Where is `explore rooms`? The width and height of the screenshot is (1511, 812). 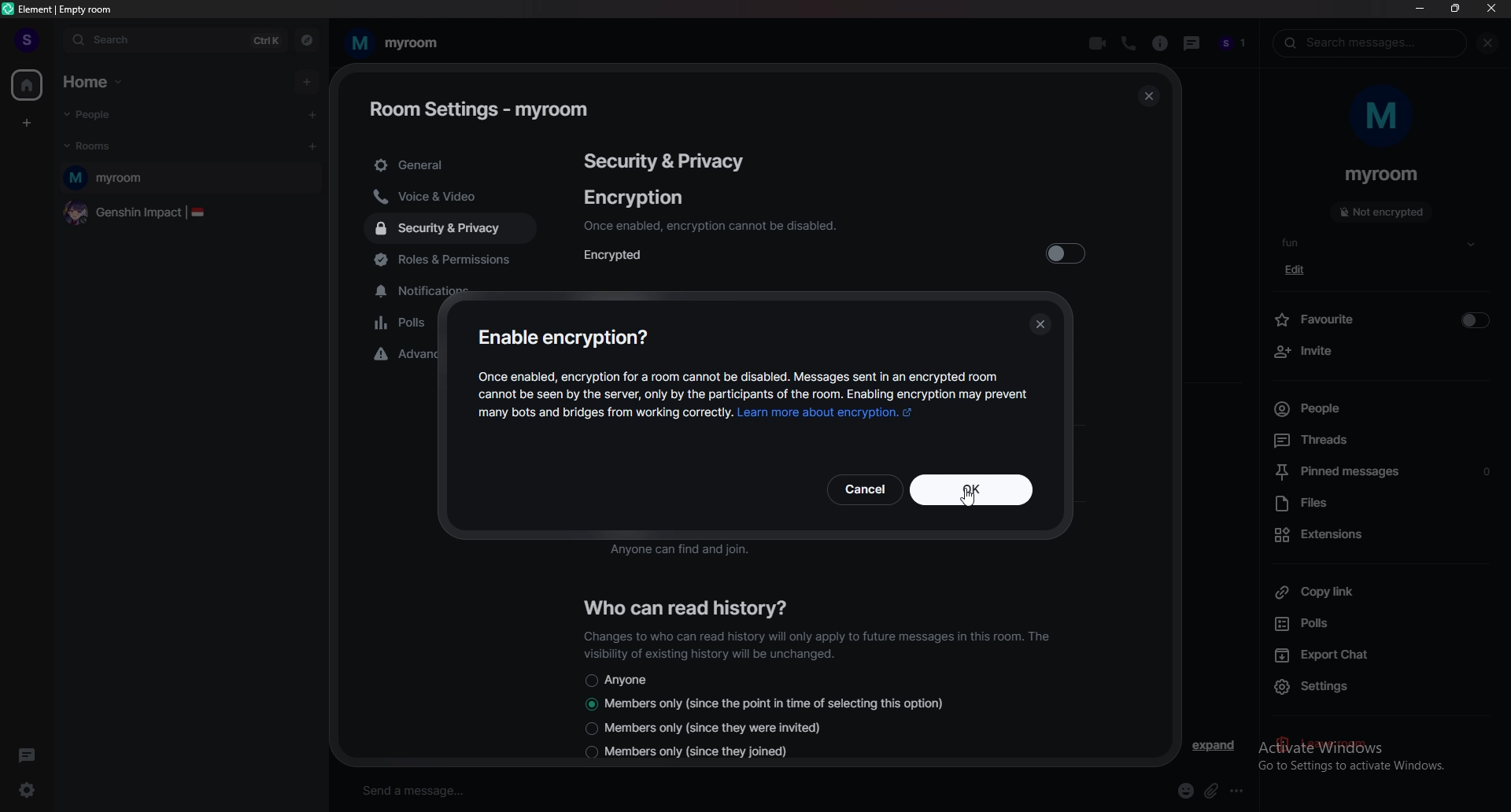 explore rooms is located at coordinates (307, 40).